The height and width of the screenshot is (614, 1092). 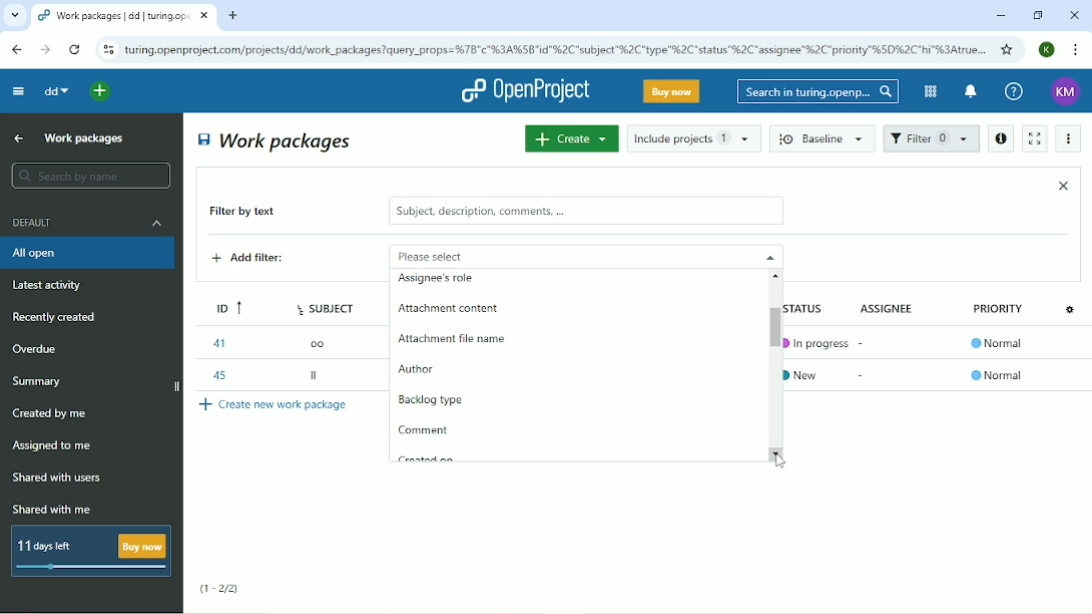 What do you see at coordinates (16, 139) in the screenshot?
I see `Up` at bounding box center [16, 139].